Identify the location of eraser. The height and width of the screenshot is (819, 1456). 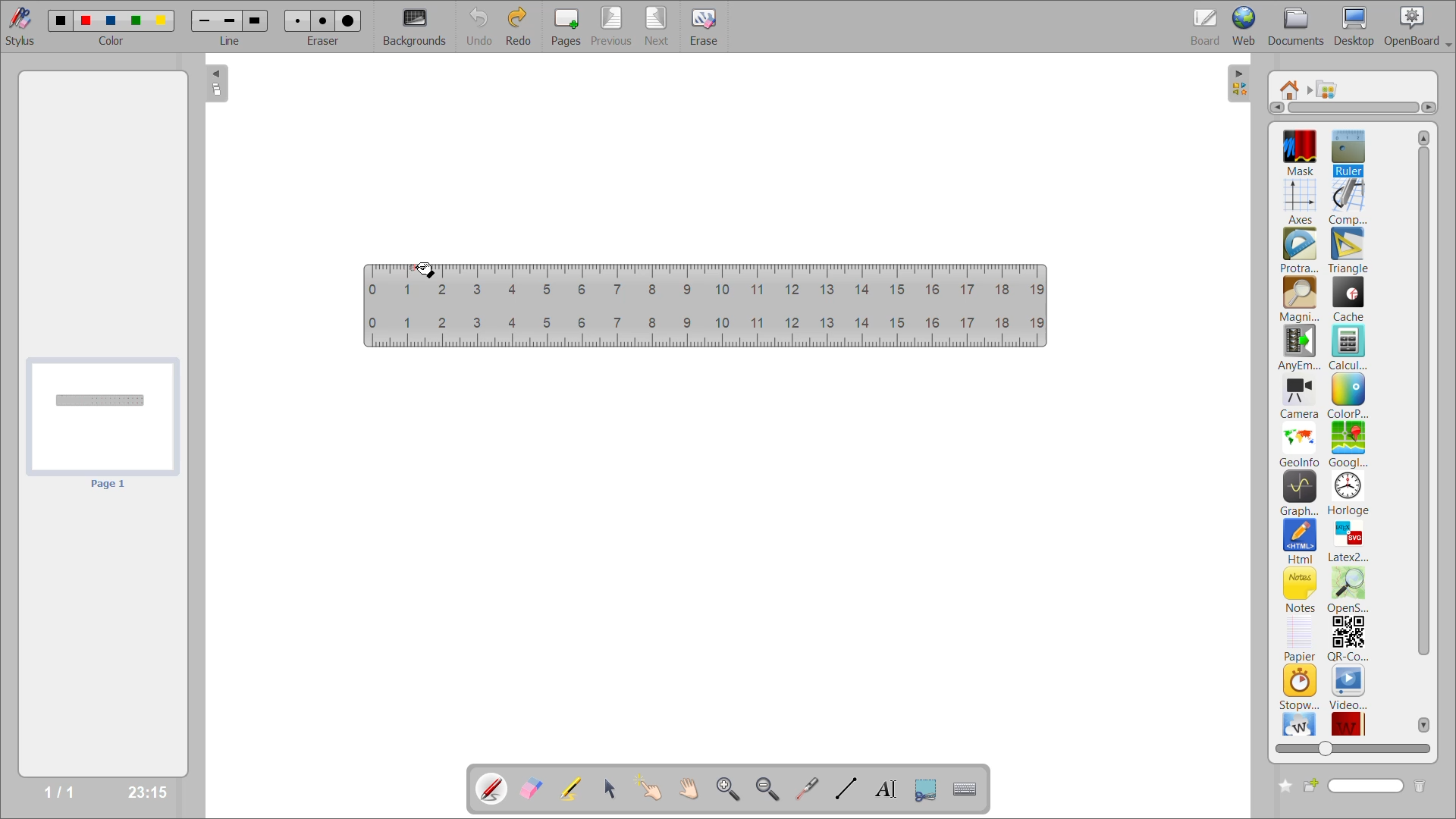
(324, 40).